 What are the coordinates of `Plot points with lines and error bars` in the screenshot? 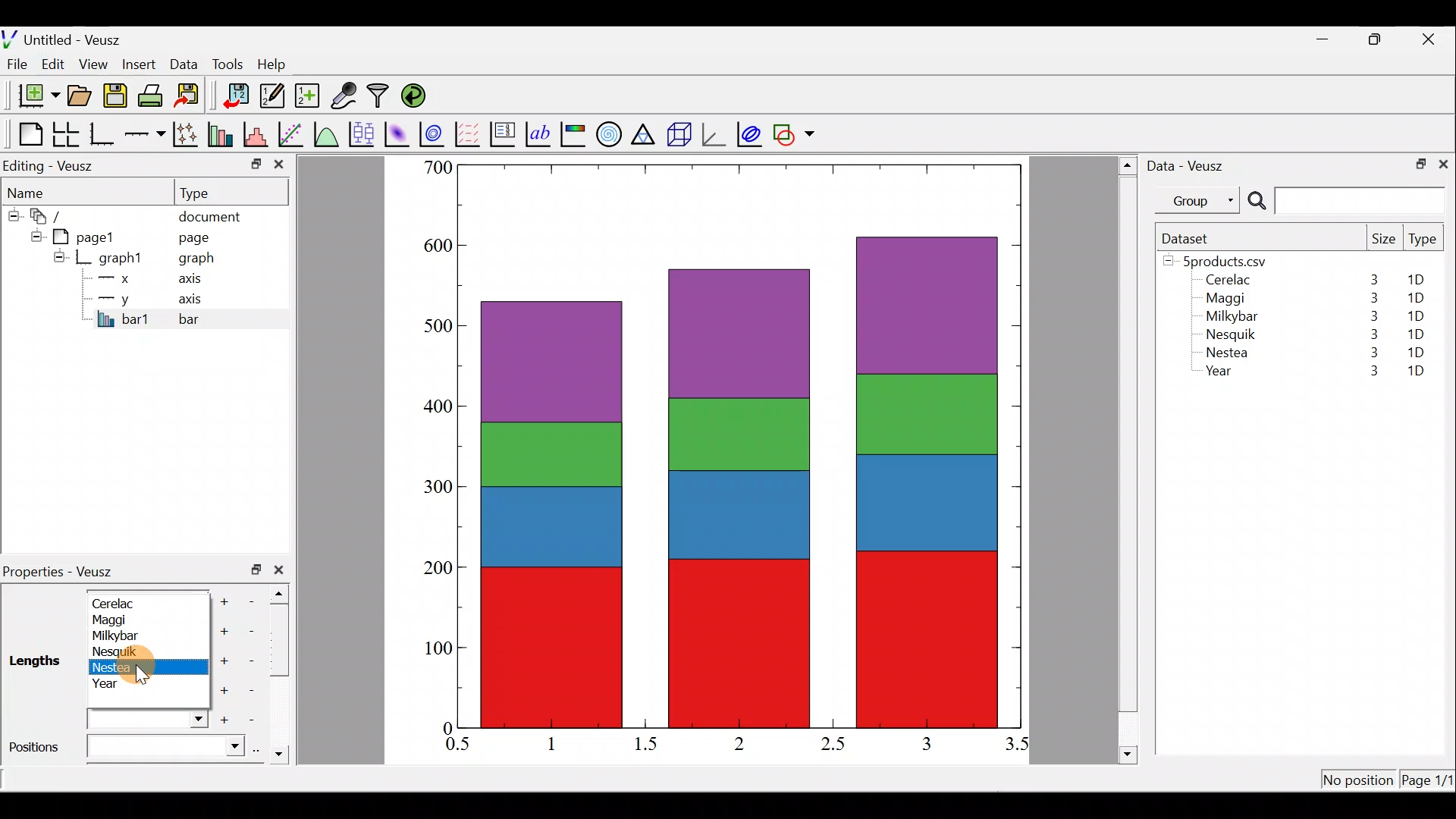 It's located at (188, 135).